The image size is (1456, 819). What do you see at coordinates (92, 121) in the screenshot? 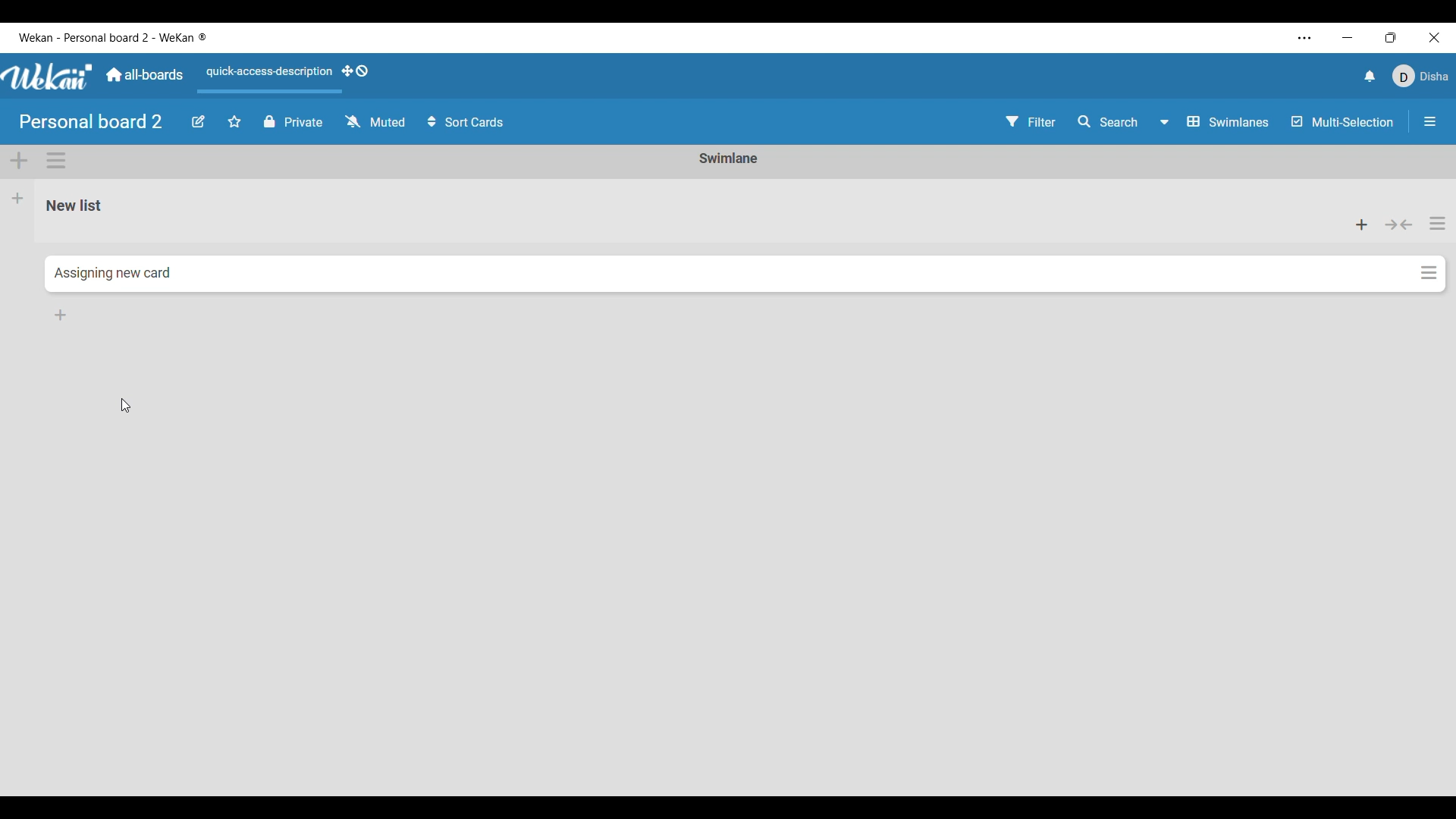
I see `Board title` at bounding box center [92, 121].